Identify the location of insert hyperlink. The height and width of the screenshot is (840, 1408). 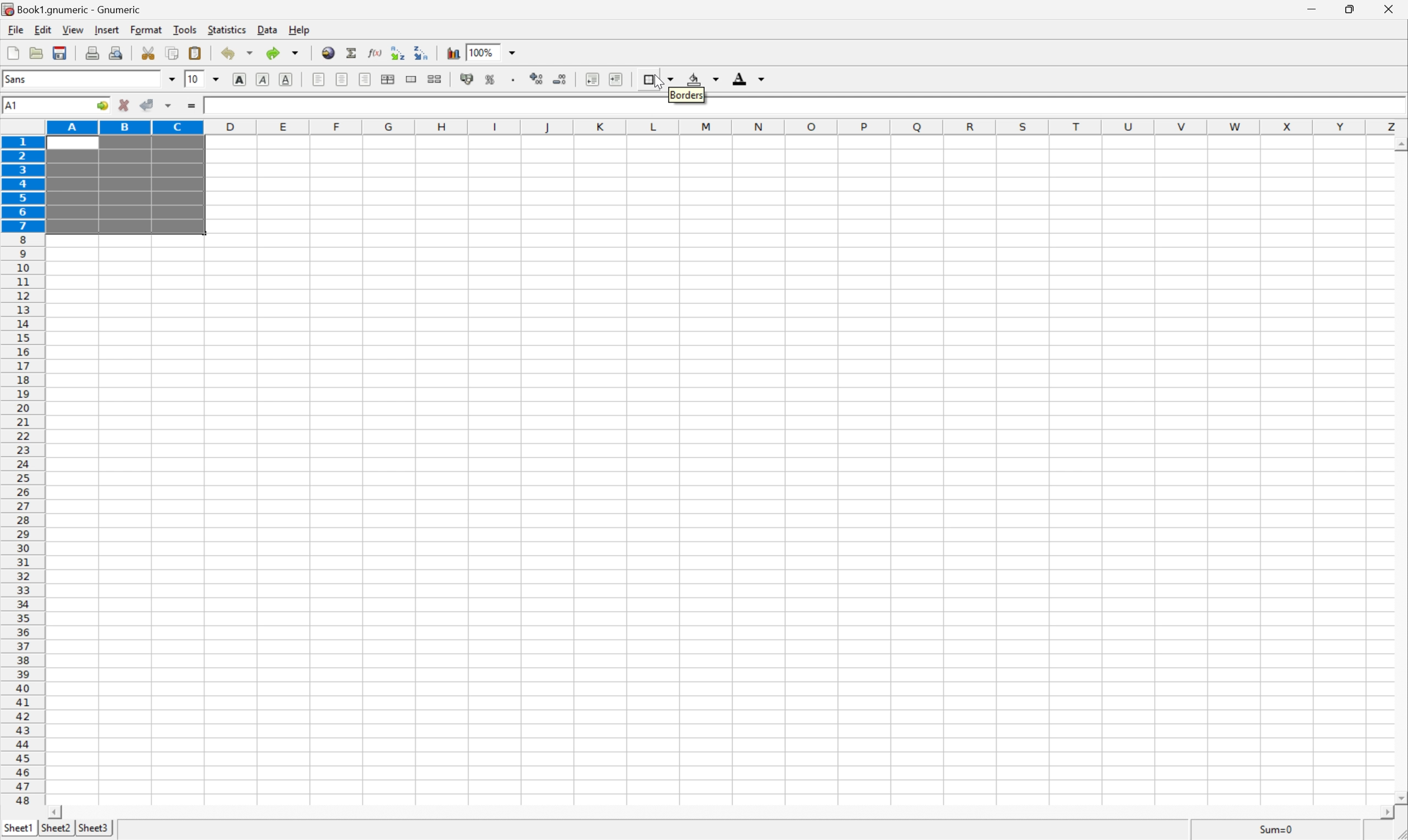
(327, 52).